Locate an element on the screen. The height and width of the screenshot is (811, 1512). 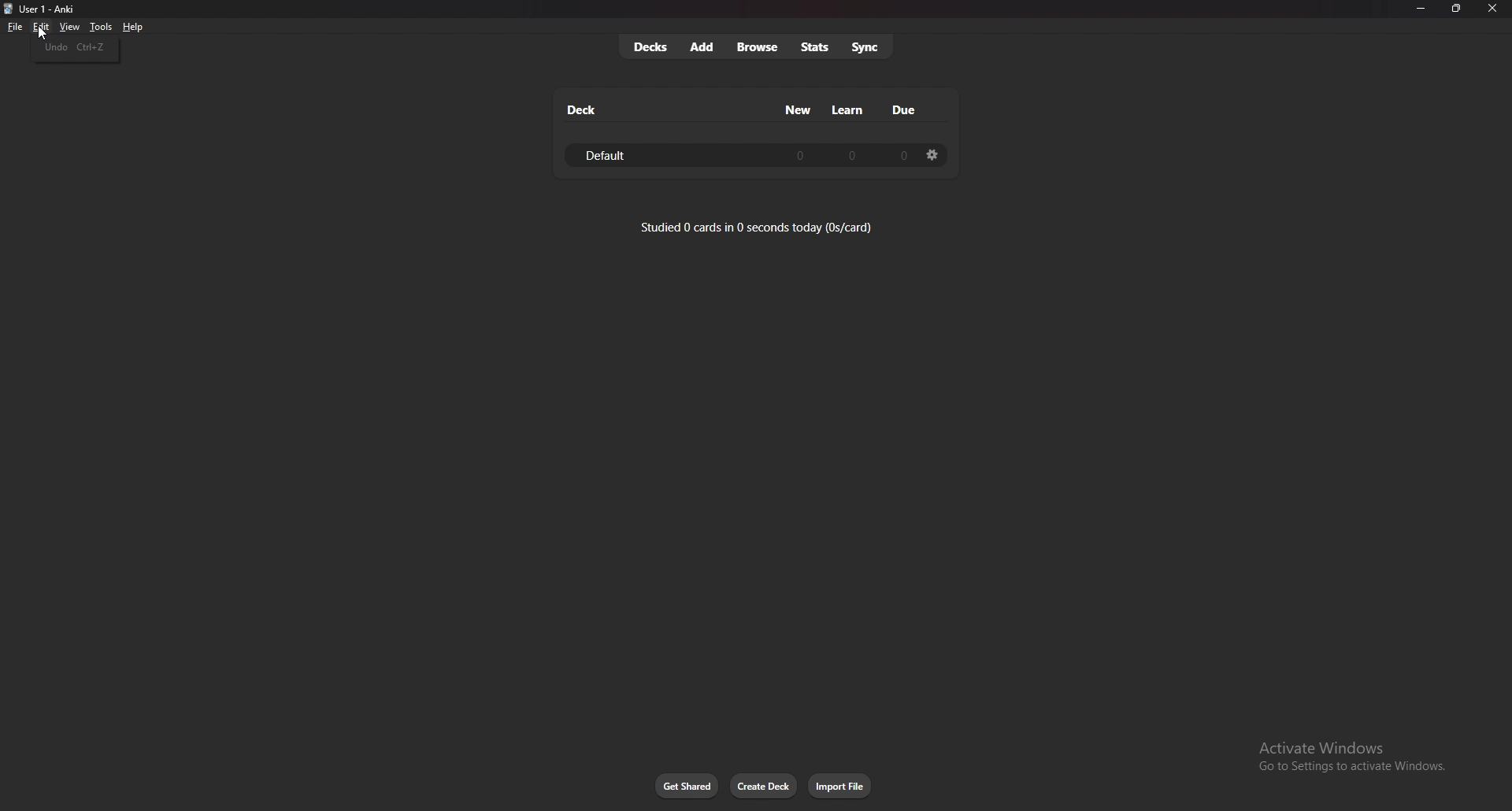
decks is located at coordinates (651, 46).